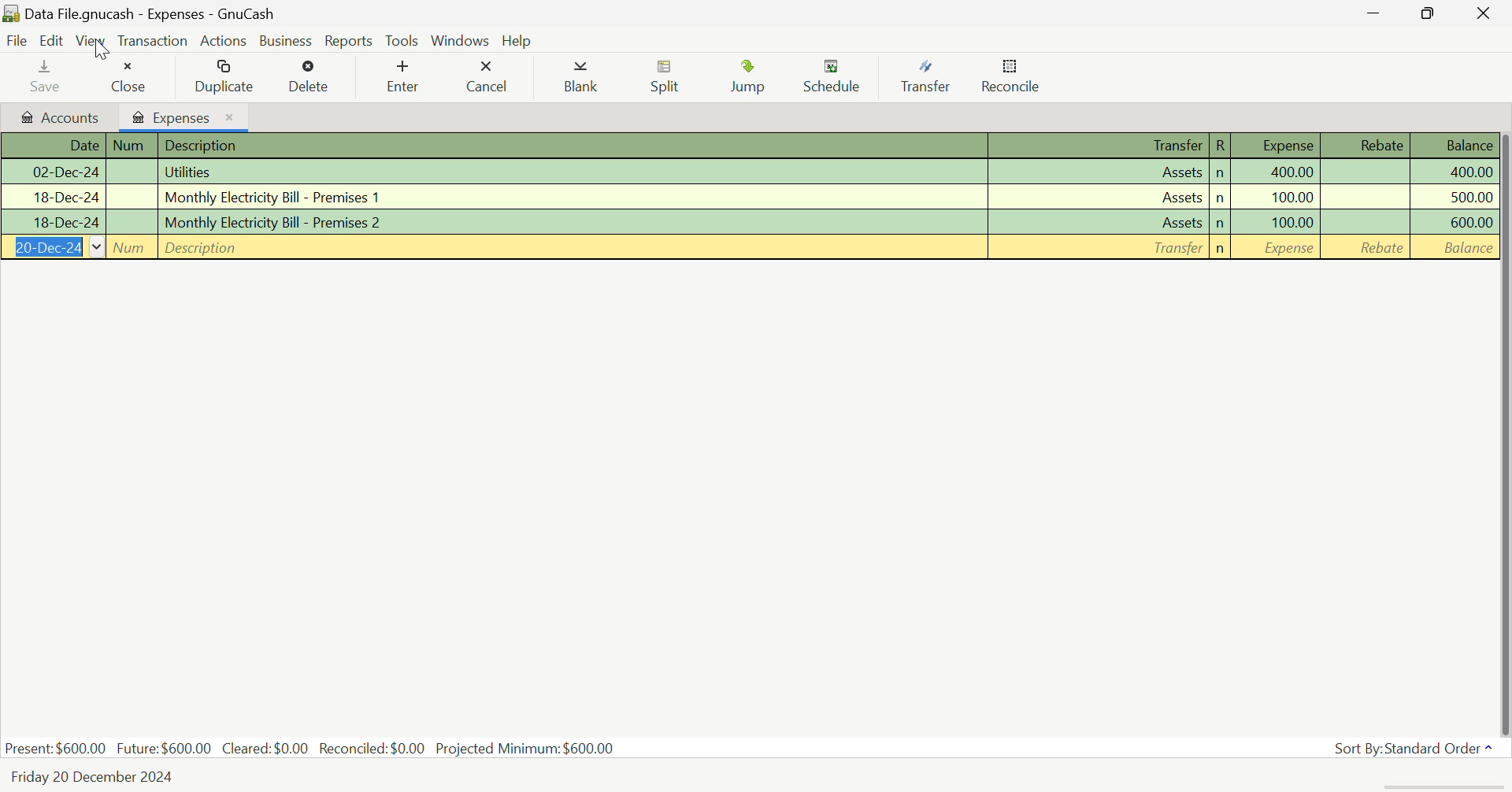 The image size is (1512, 792). What do you see at coordinates (1431, 15) in the screenshot?
I see `Minimize` at bounding box center [1431, 15].